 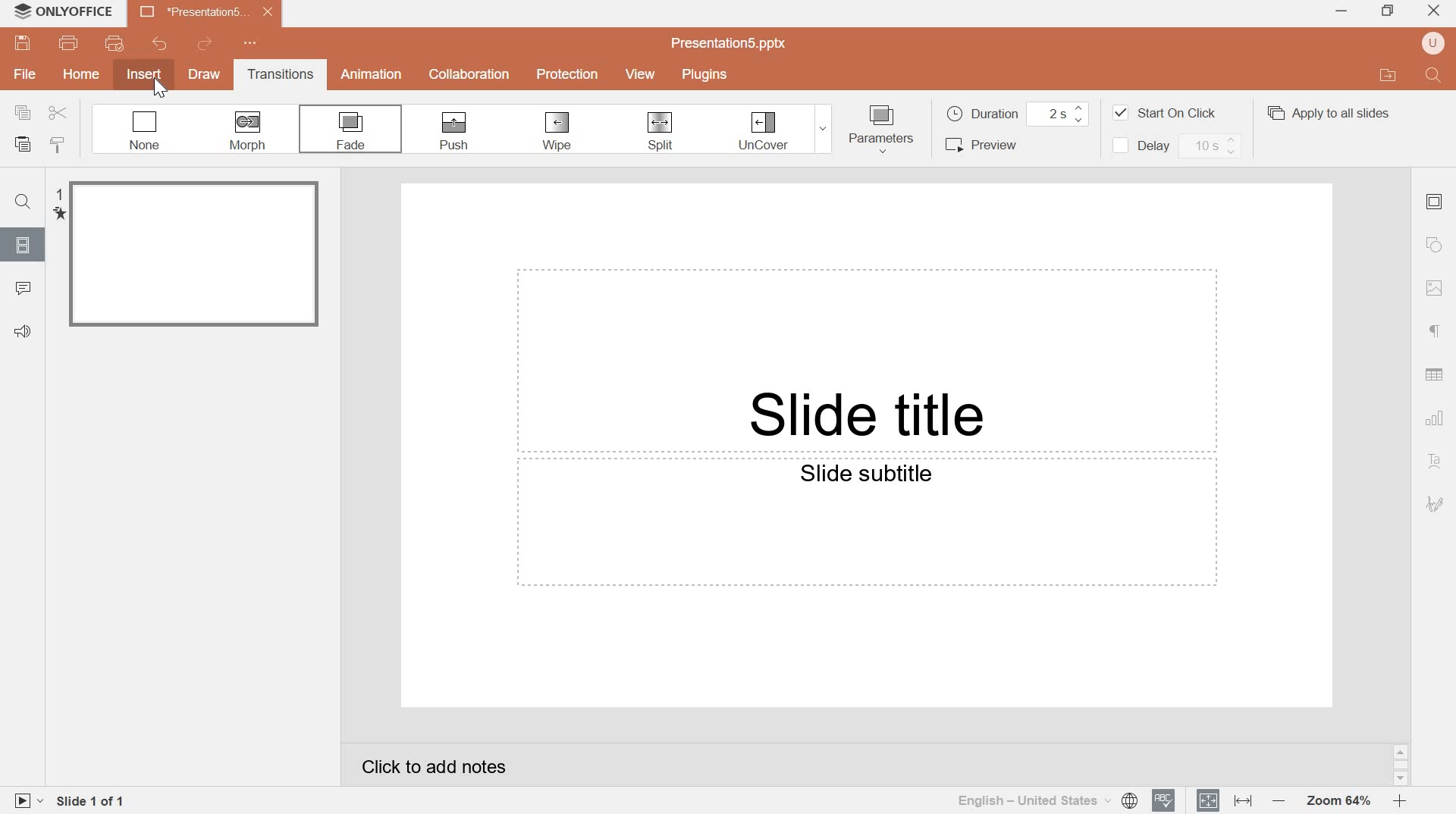 What do you see at coordinates (249, 129) in the screenshot?
I see `Morph` at bounding box center [249, 129].